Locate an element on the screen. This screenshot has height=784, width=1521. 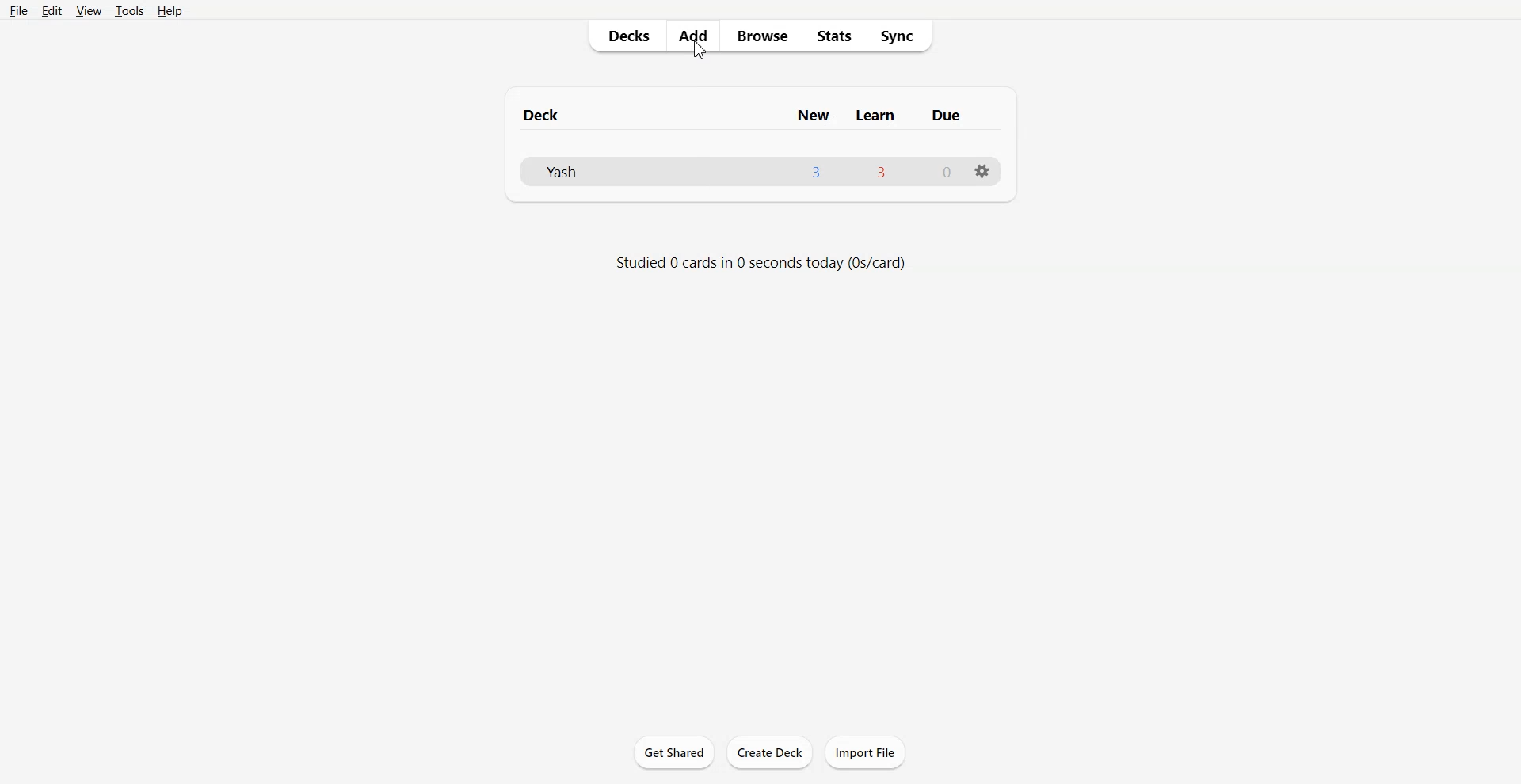
Decks is located at coordinates (626, 36).